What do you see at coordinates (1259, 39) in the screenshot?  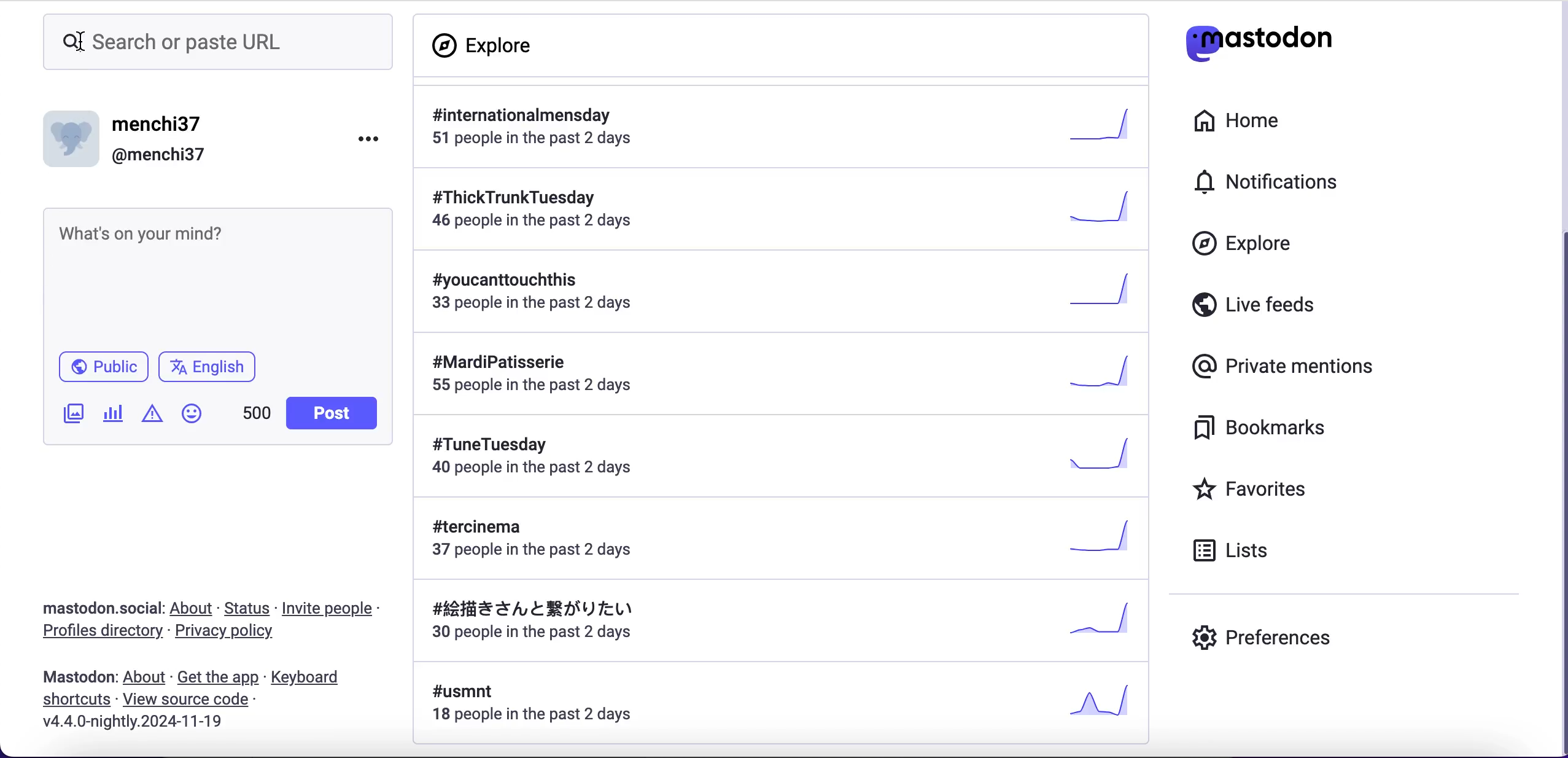 I see `mastodon logo` at bounding box center [1259, 39].